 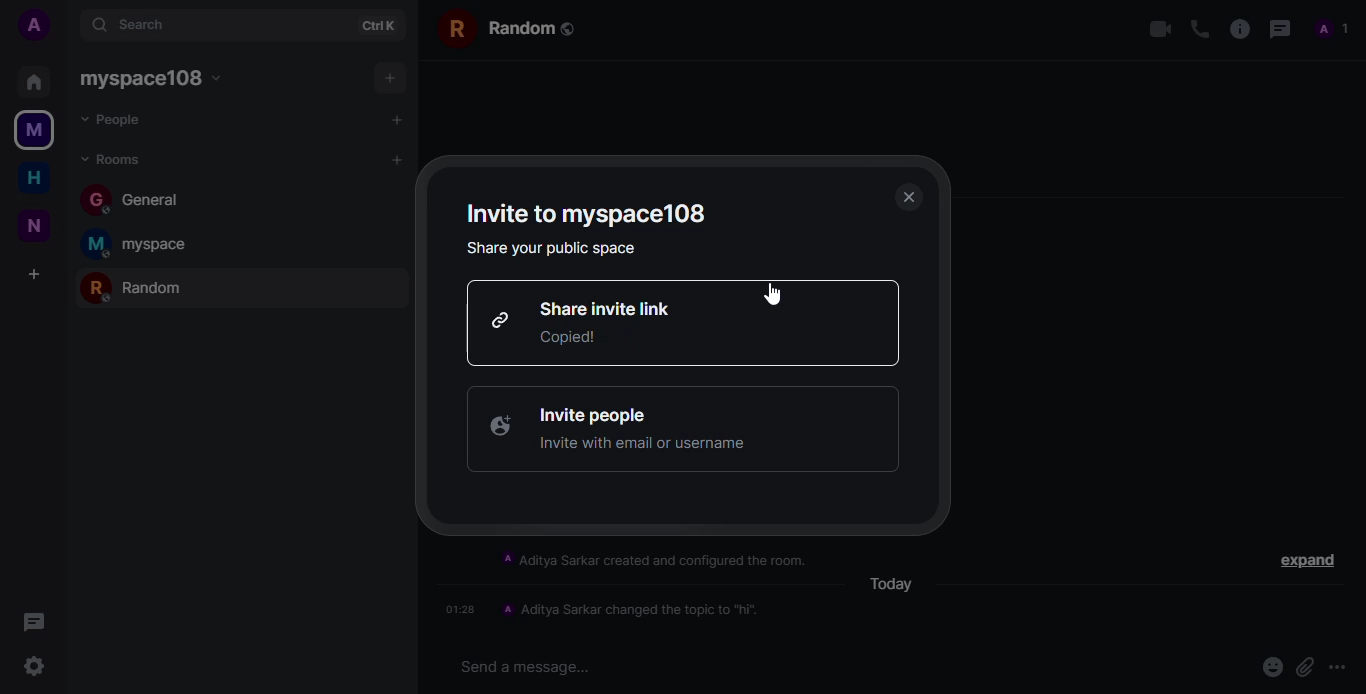 I want to click on add, so click(x=386, y=78).